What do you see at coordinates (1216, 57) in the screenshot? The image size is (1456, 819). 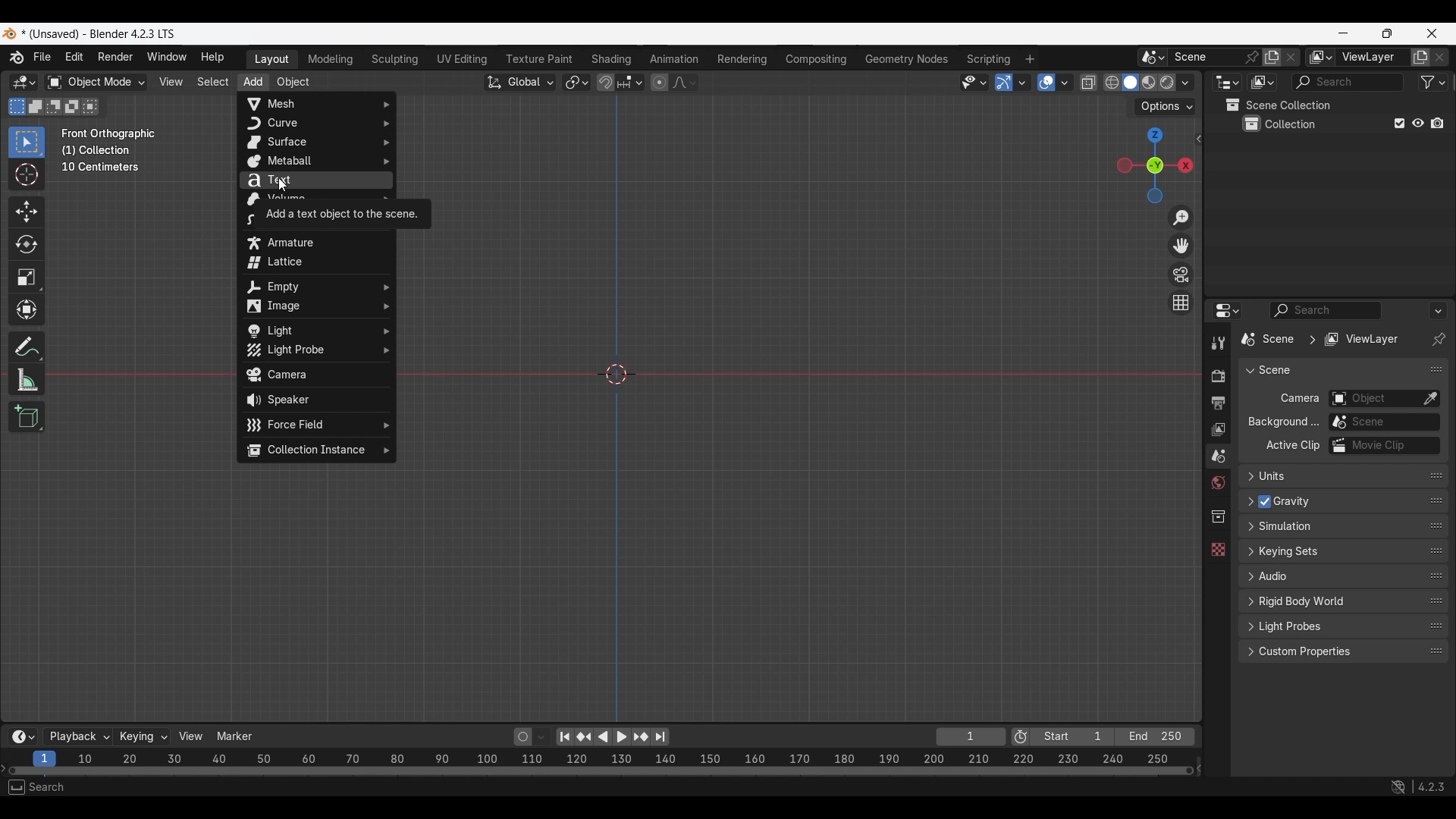 I see `Pin scene to workspace` at bounding box center [1216, 57].